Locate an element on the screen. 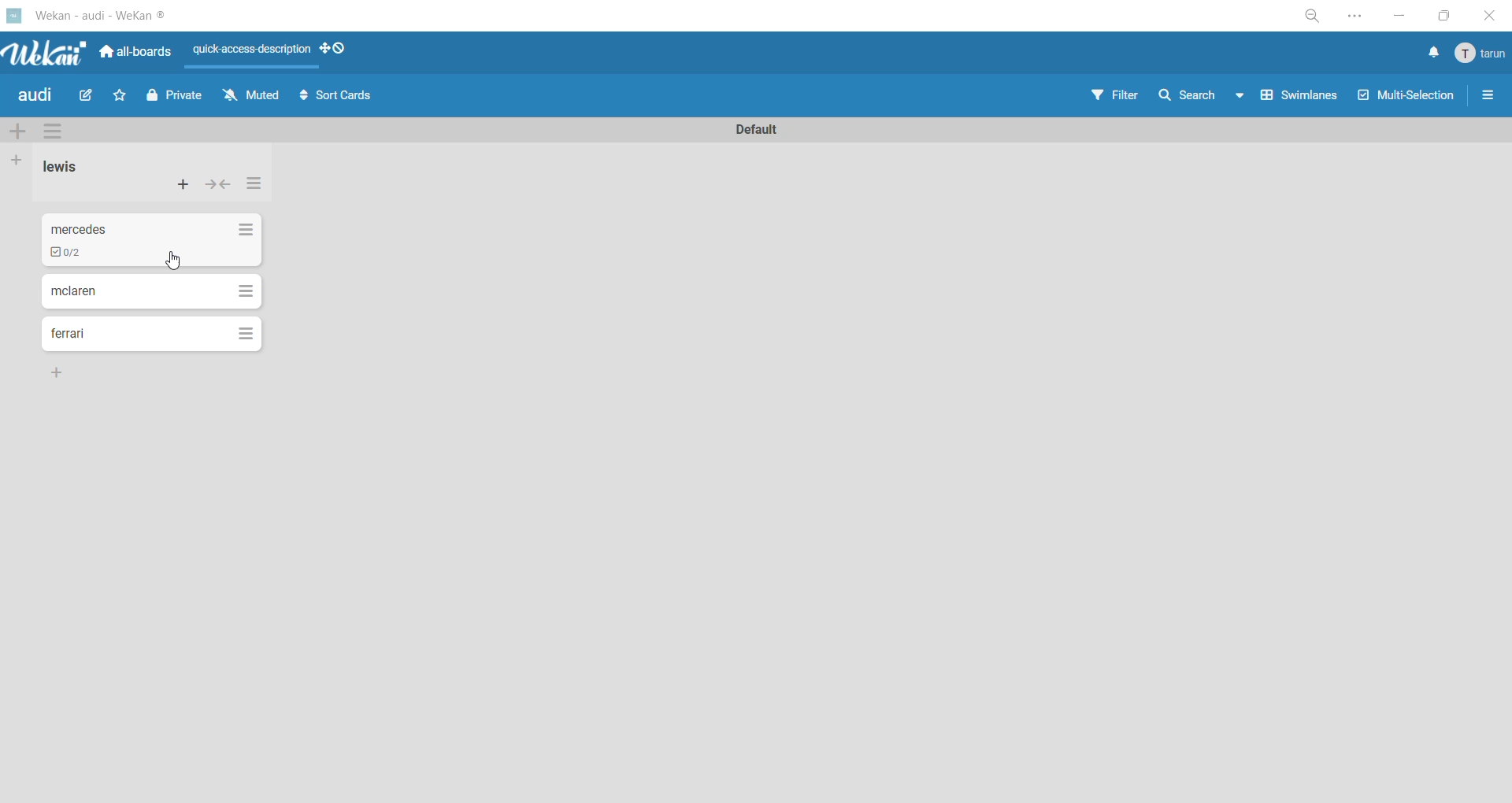  cursor is located at coordinates (174, 261).